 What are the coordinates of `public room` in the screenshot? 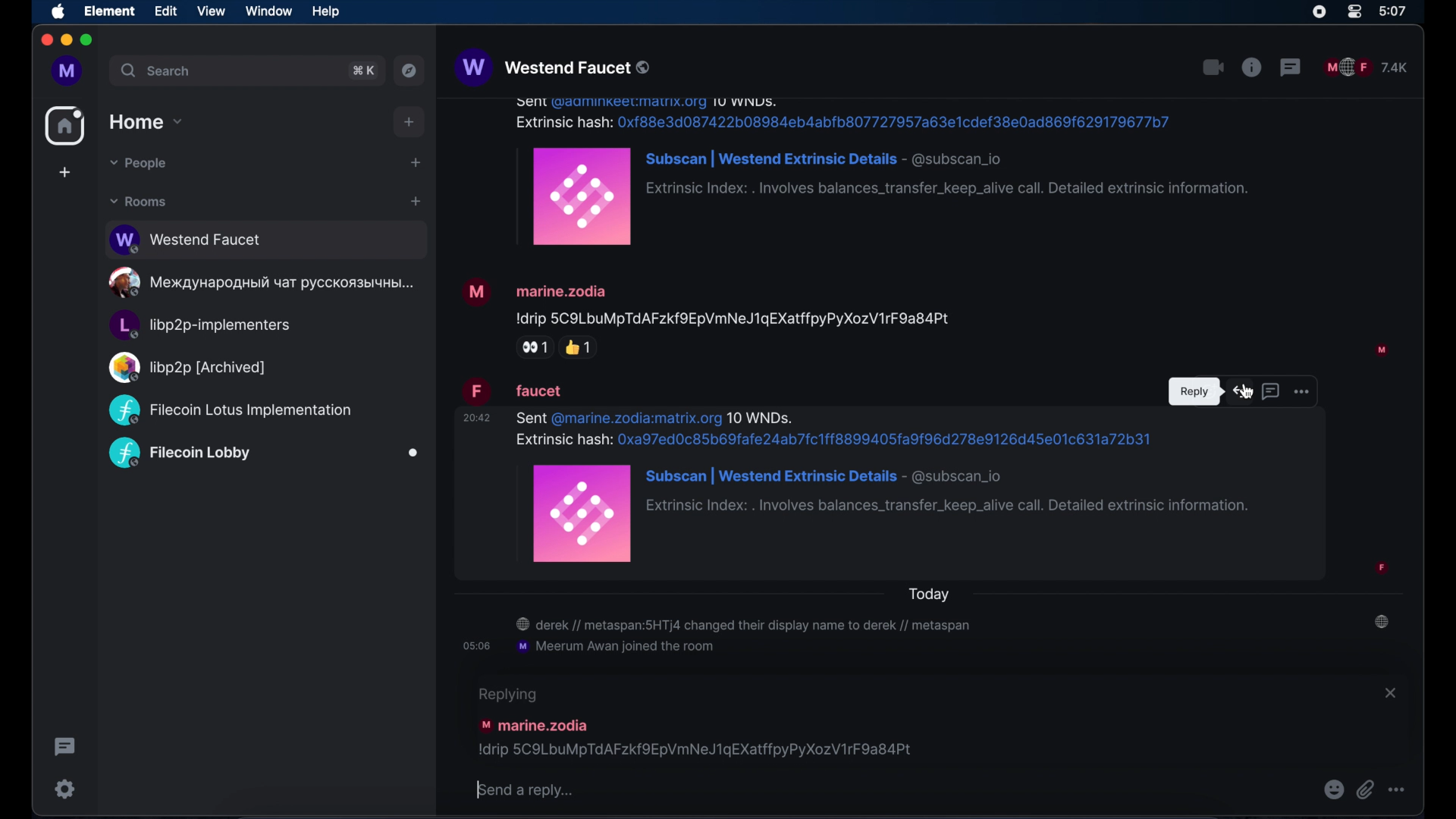 It's located at (186, 367).